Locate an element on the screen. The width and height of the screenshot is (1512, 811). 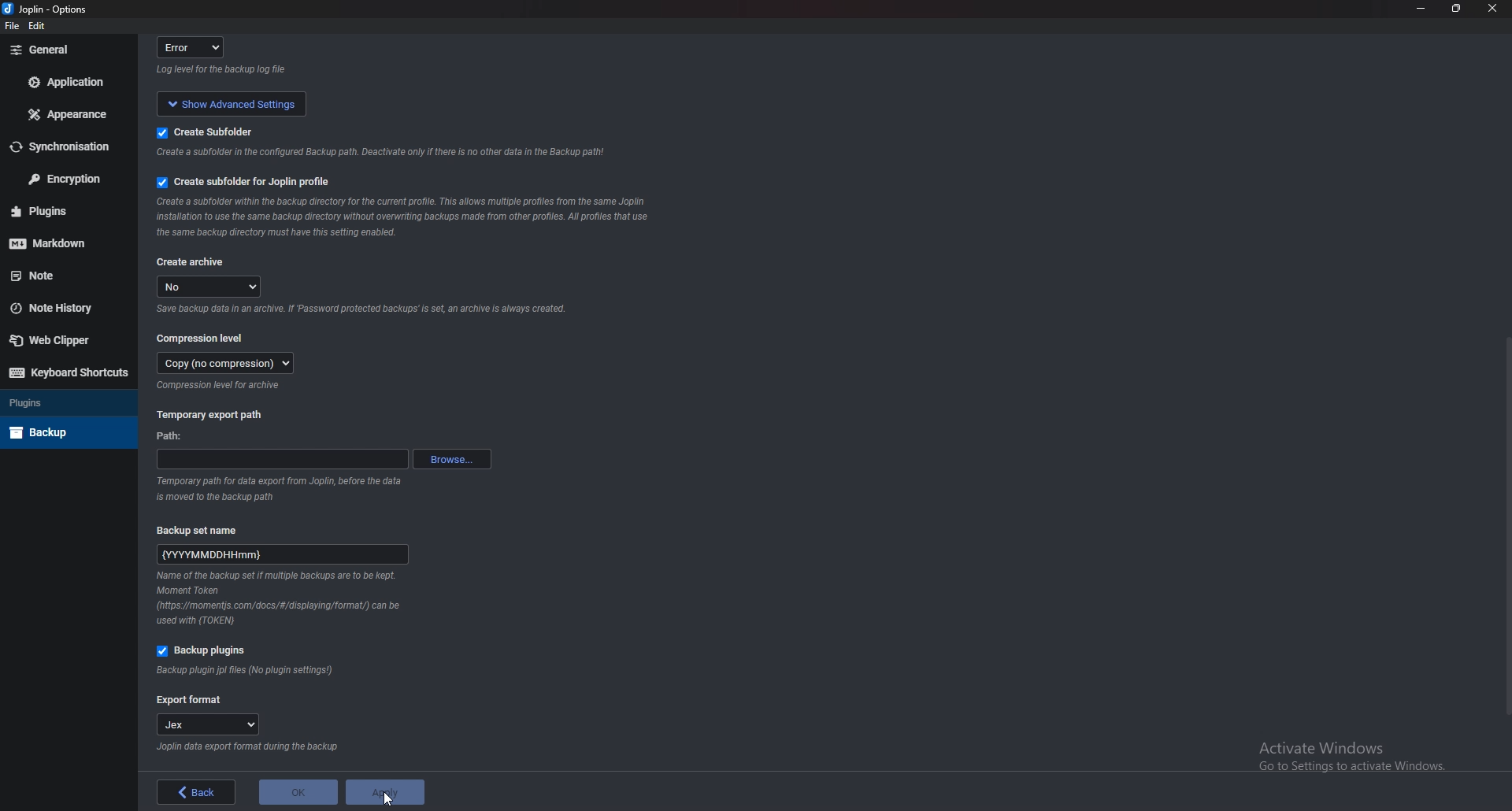
info is located at coordinates (224, 70).